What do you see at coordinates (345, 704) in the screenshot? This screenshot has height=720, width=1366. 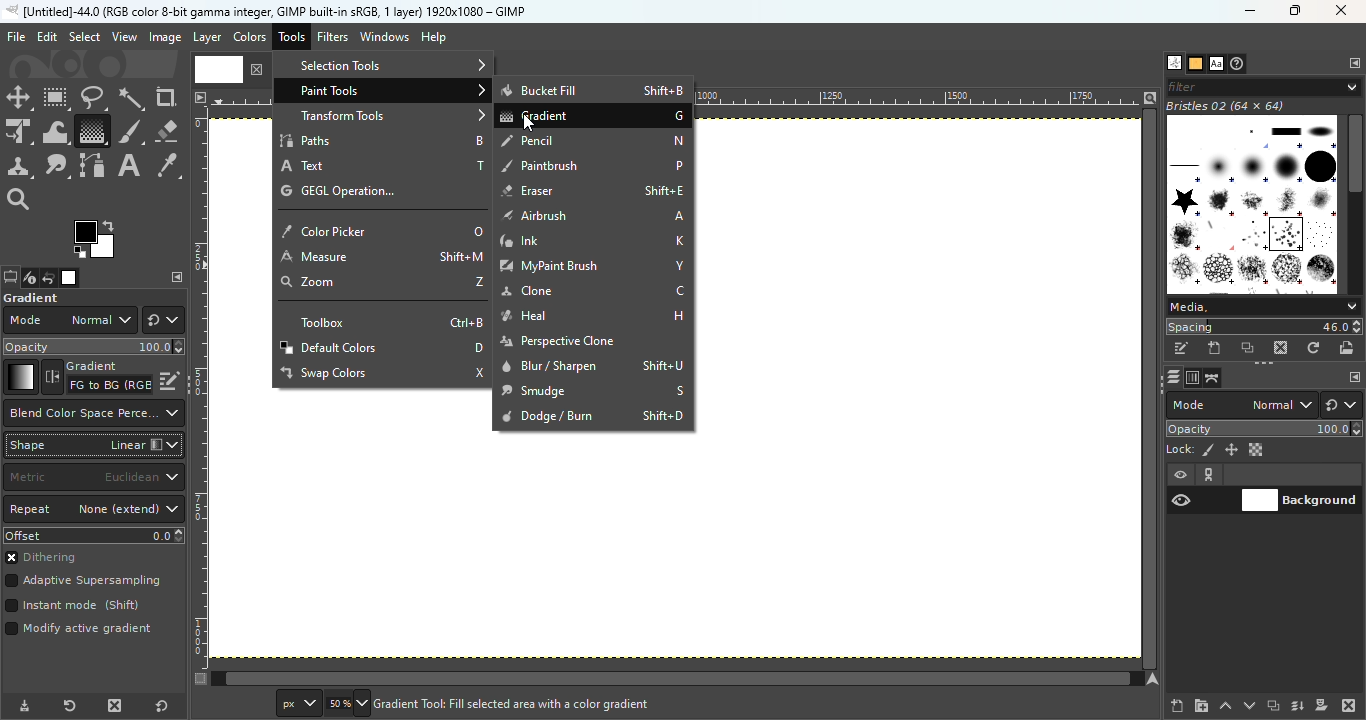 I see `Enter image size` at bounding box center [345, 704].